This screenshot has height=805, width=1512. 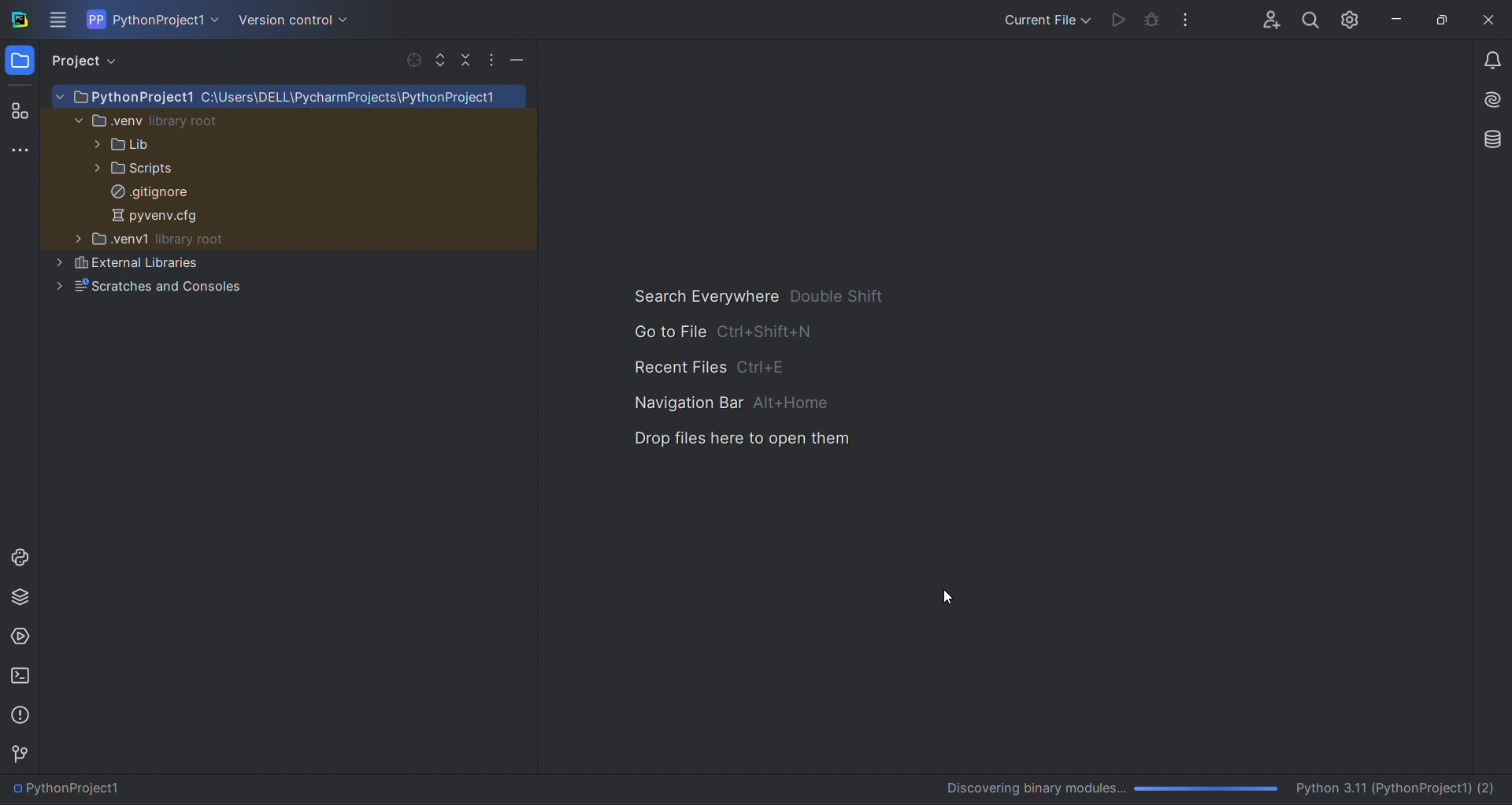 What do you see at coordinates (289, 150) in the screenshot?
I see `file tree` at bounding box center [289, 150].